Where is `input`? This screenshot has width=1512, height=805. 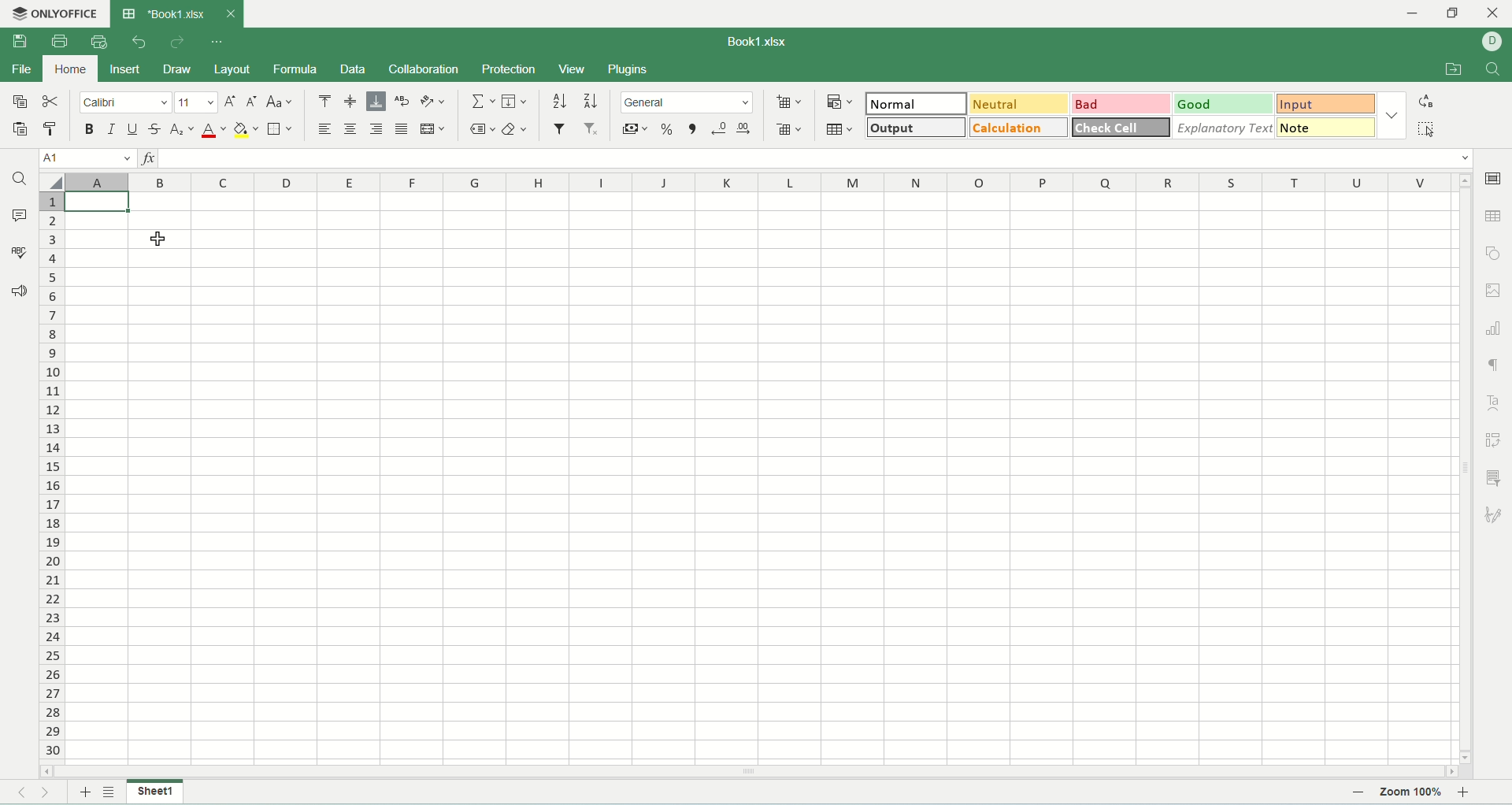 input is located at coordinates (1329, 103).